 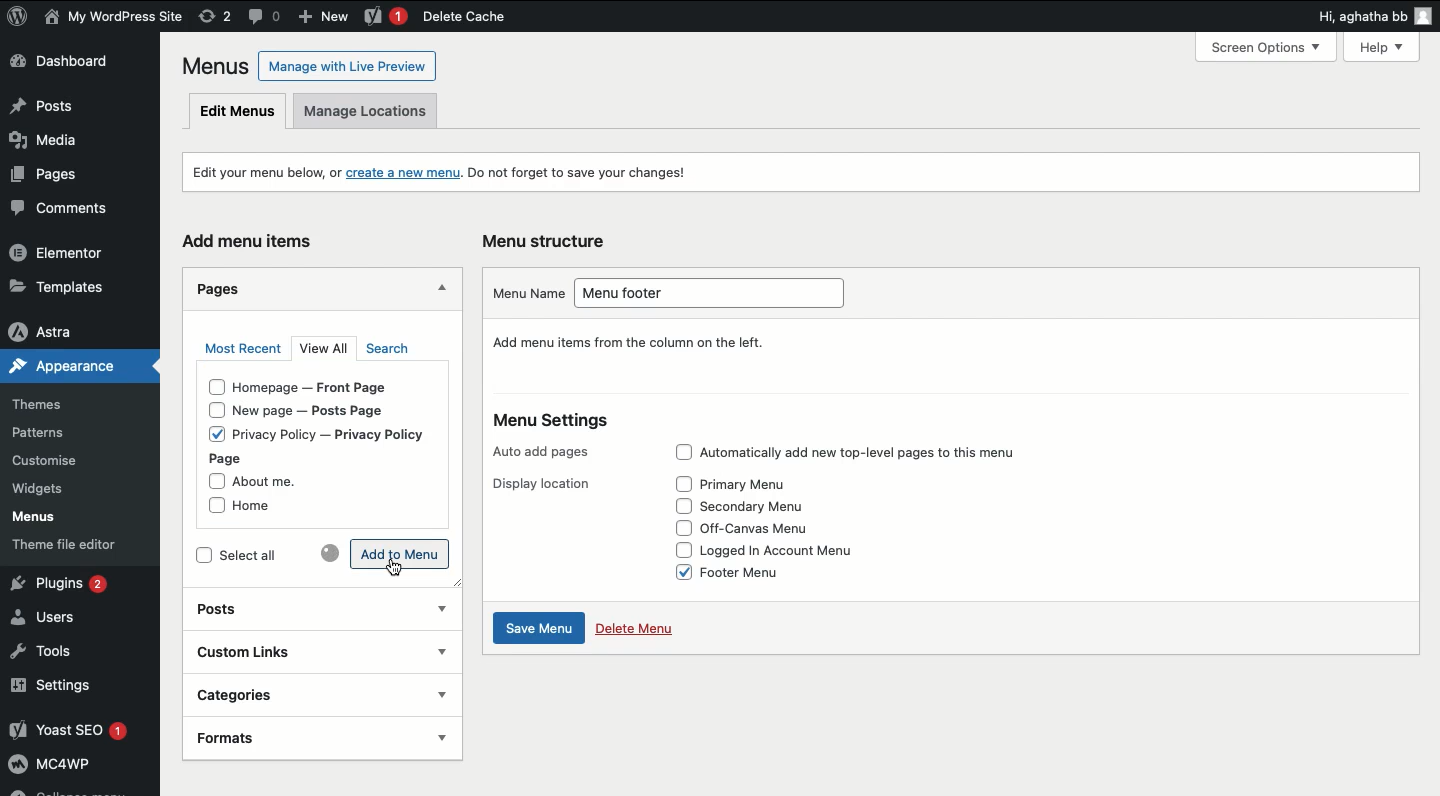 I want to click on User, so click(x=114, y=18).